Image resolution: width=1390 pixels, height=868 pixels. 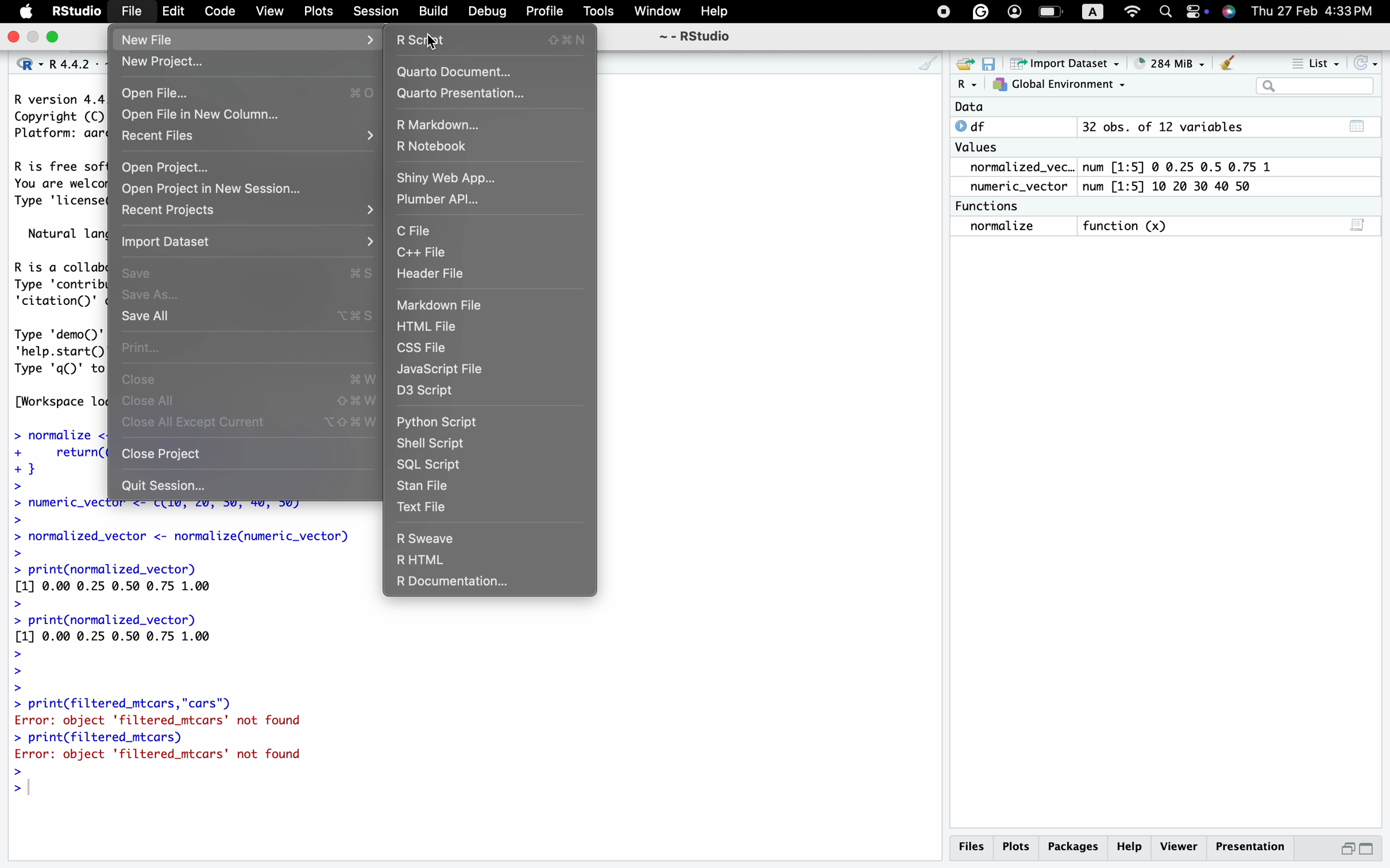 What do you see at coordinates (252, 423) in the screenshot?
I see `Close All Except Current` at bounding box center [252, 423].